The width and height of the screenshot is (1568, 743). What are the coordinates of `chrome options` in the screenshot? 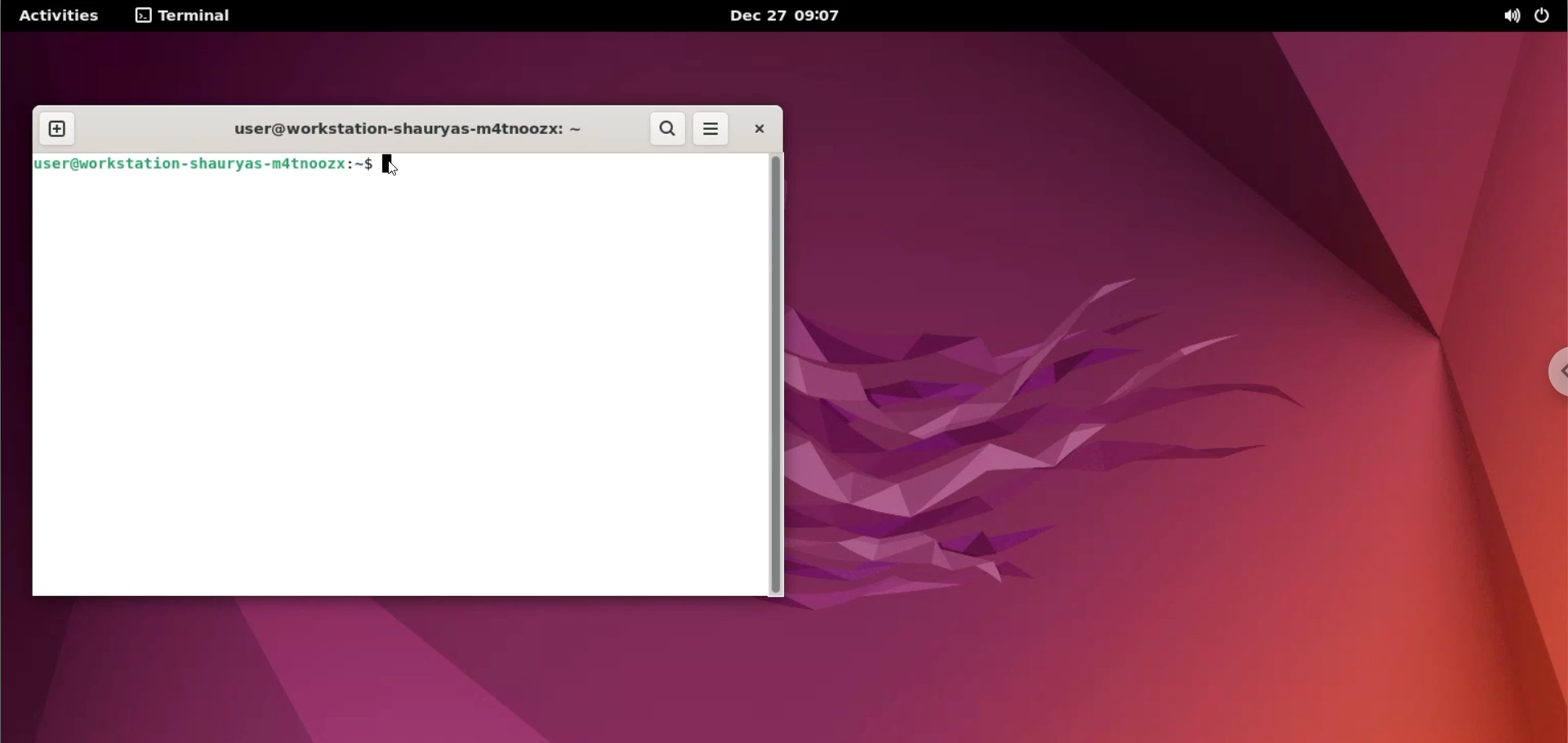 It's located at (1553, 376).